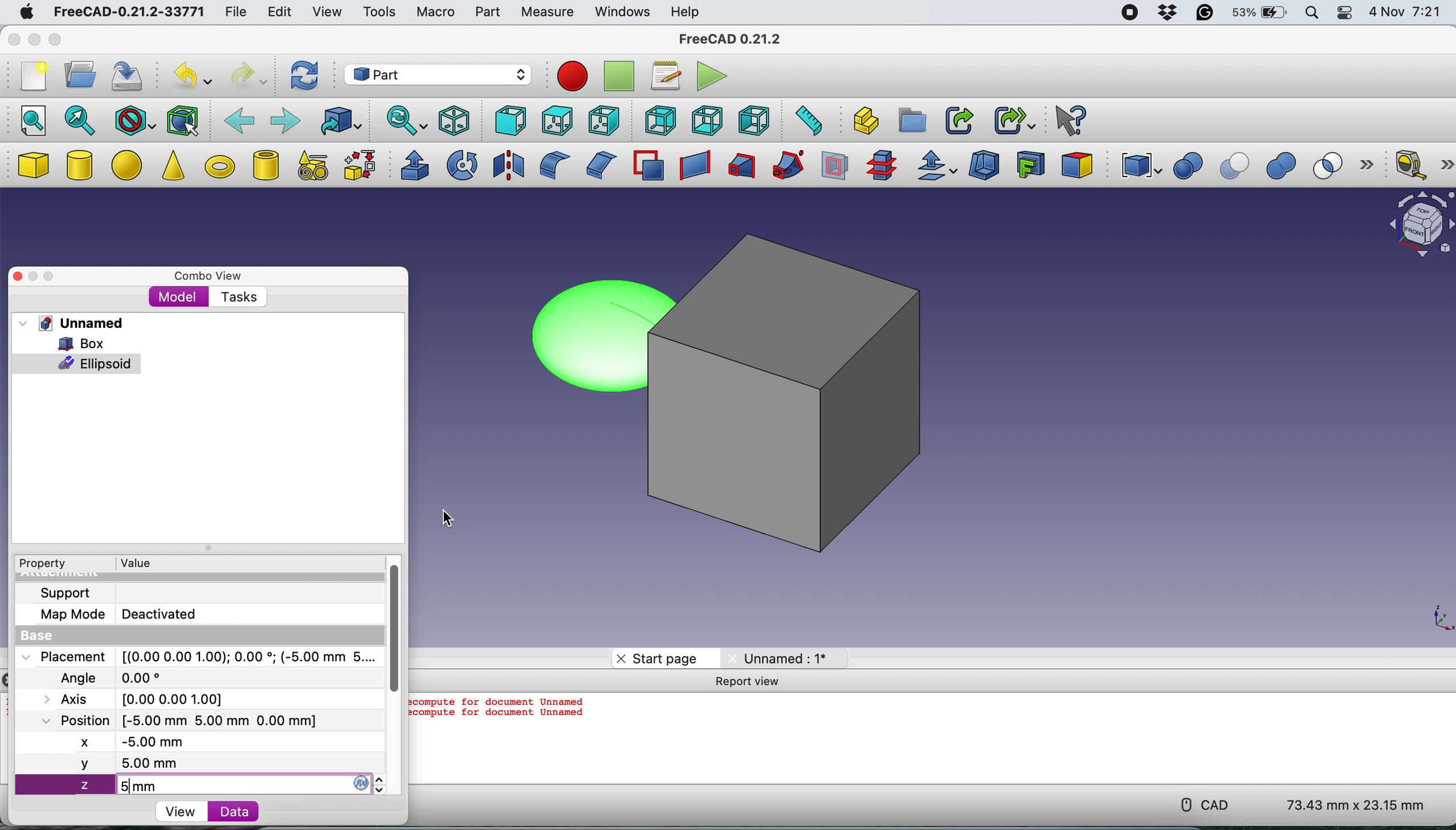 This screenshot has height=830, width=1456. Describe the element at coordinates (753, 682) in the screenshot. I see `Report View` at that location.